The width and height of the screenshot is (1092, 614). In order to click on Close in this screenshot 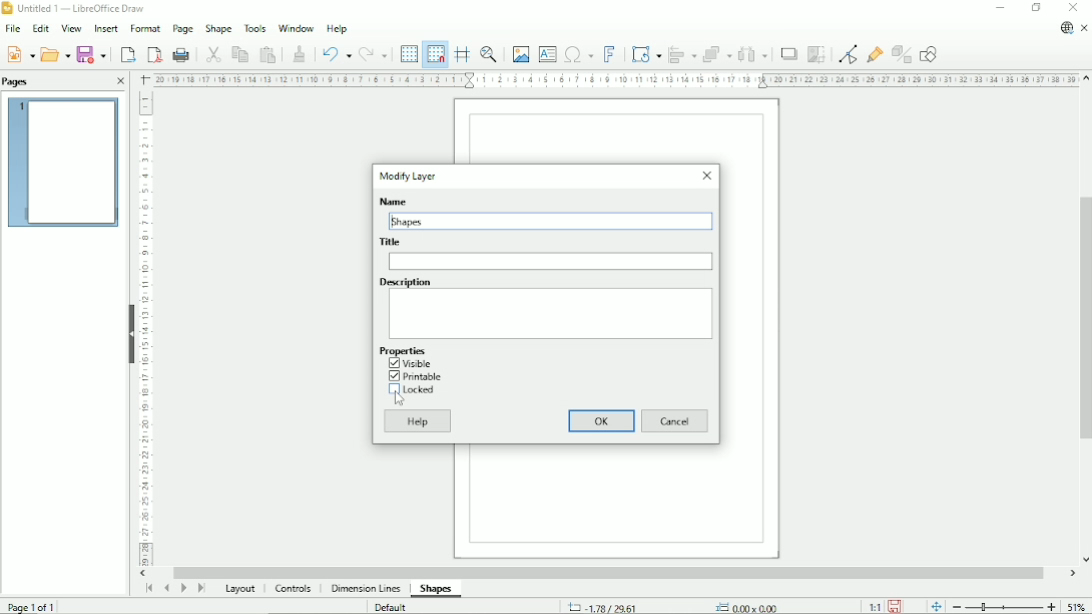, I will do `click(120, 81)`.